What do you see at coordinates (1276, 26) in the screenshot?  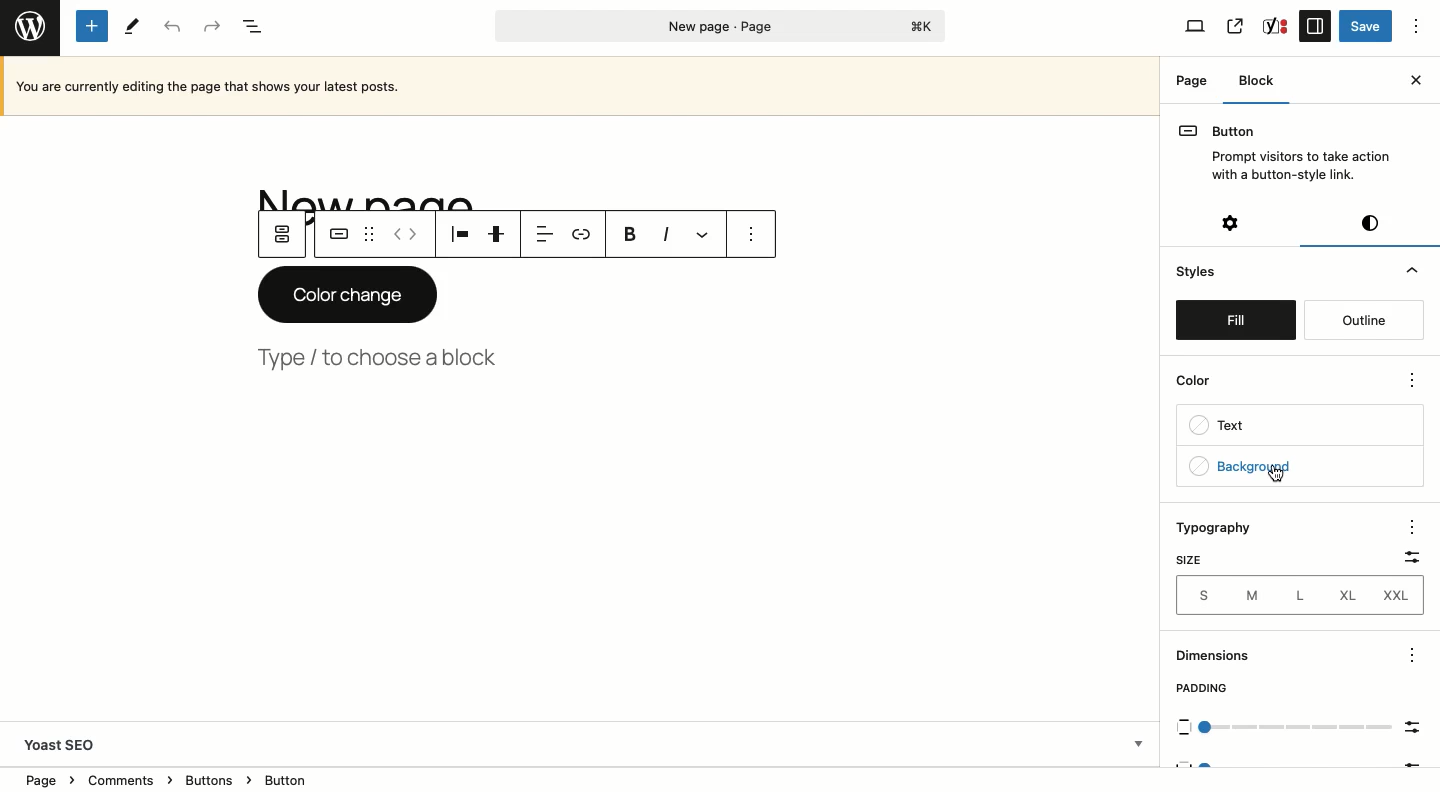 I see `SEO` at bounding box center [1276, 26].